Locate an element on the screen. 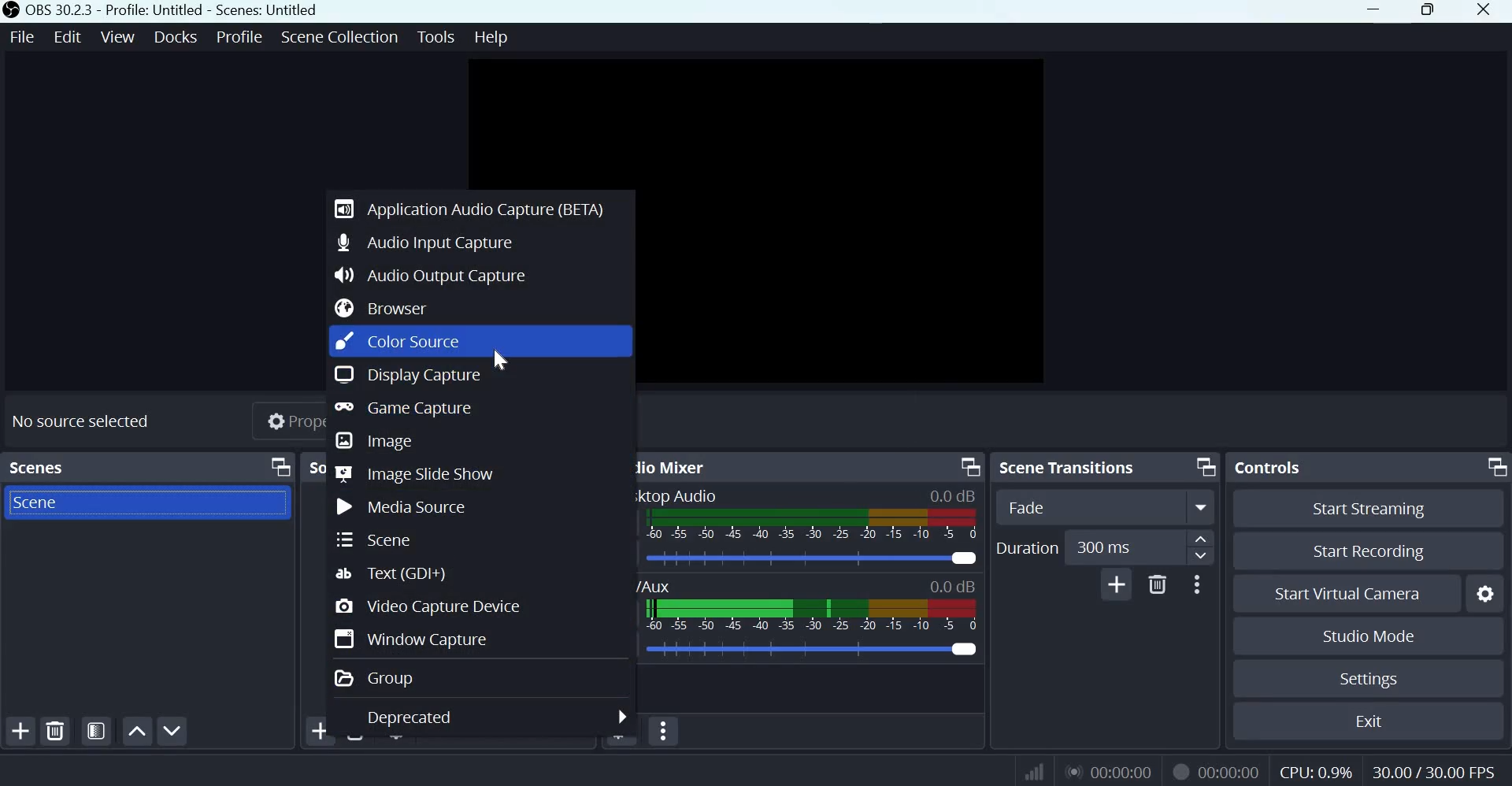 The width and height of the screenshot is (1512, 786). Scene Collection is located at coordinates (339, 37).